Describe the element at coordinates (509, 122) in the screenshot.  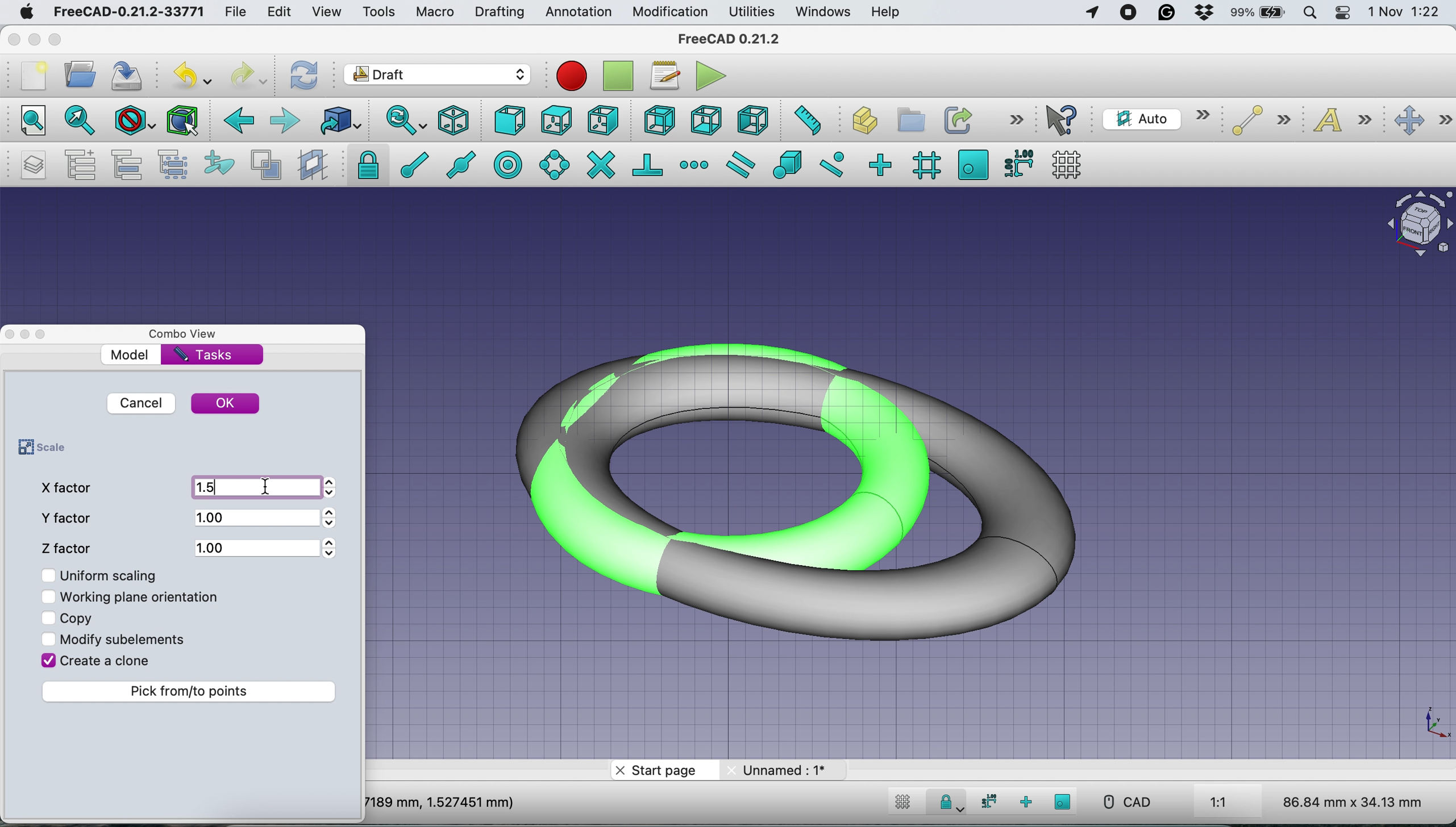
I see `front` at that location.